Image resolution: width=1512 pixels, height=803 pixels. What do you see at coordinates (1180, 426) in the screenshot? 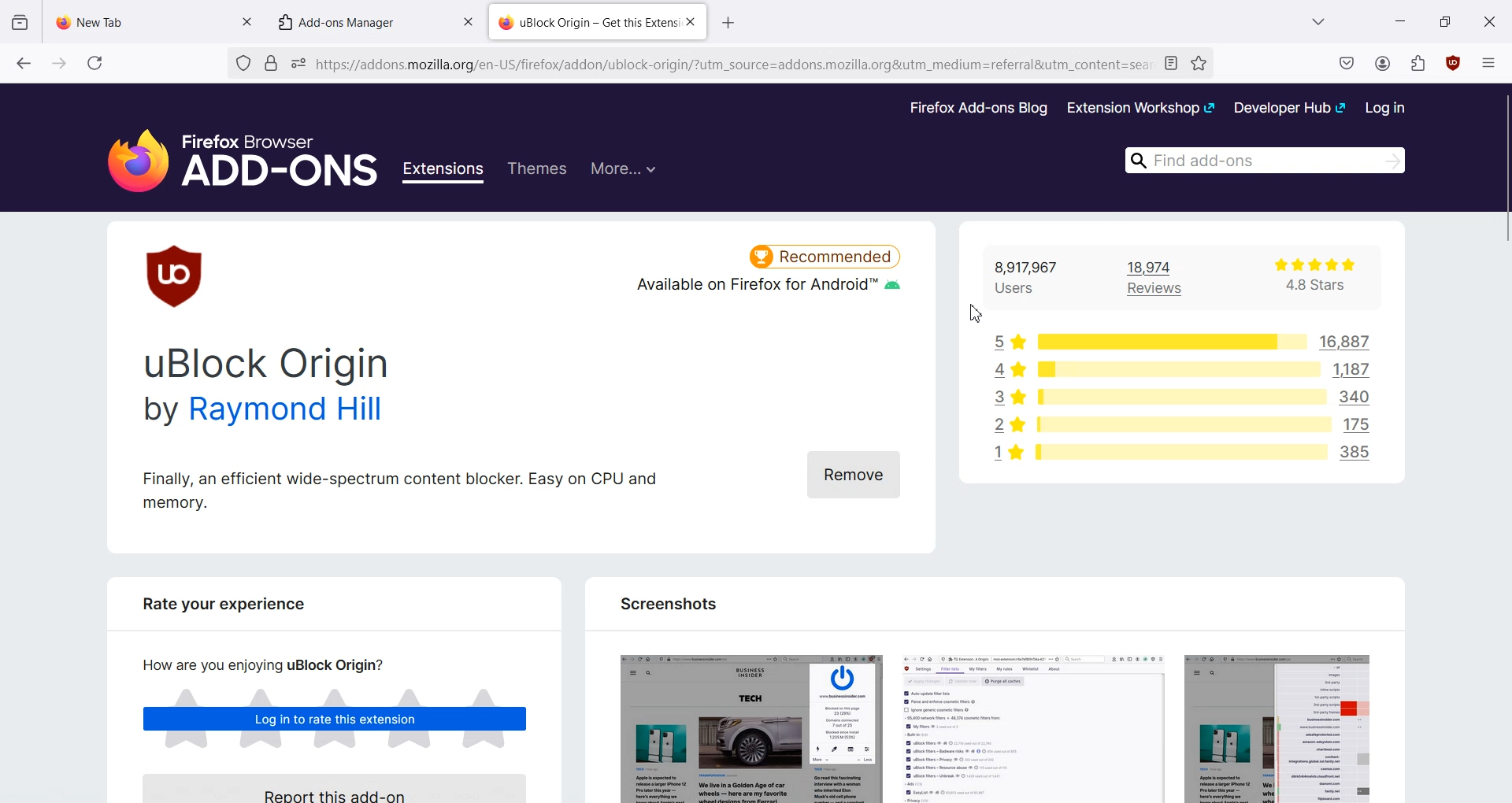
I see `rating bar` at bounding box center [1180, 426].